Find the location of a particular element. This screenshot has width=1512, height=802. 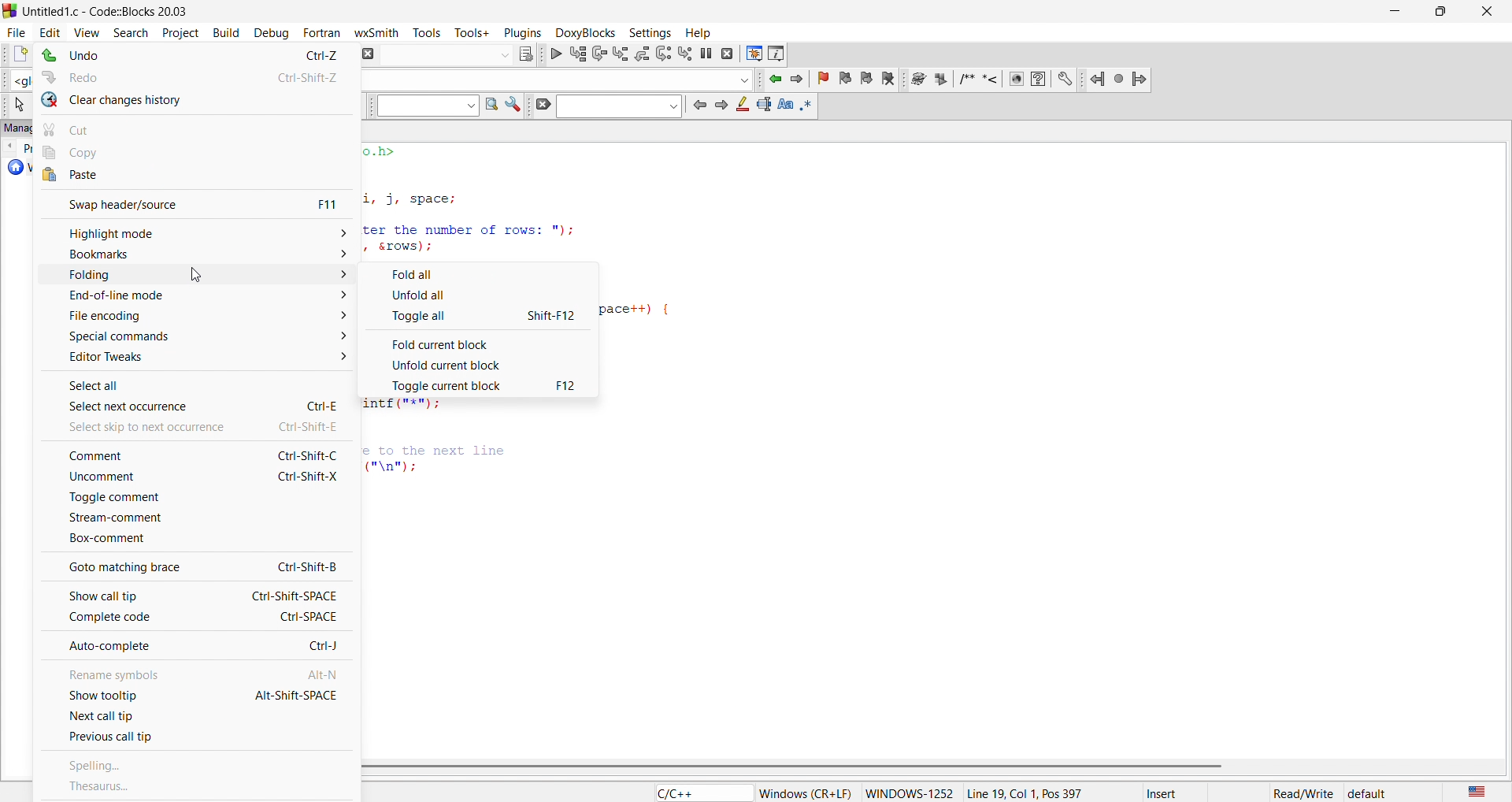

close is located at coordinates (1485, 12).